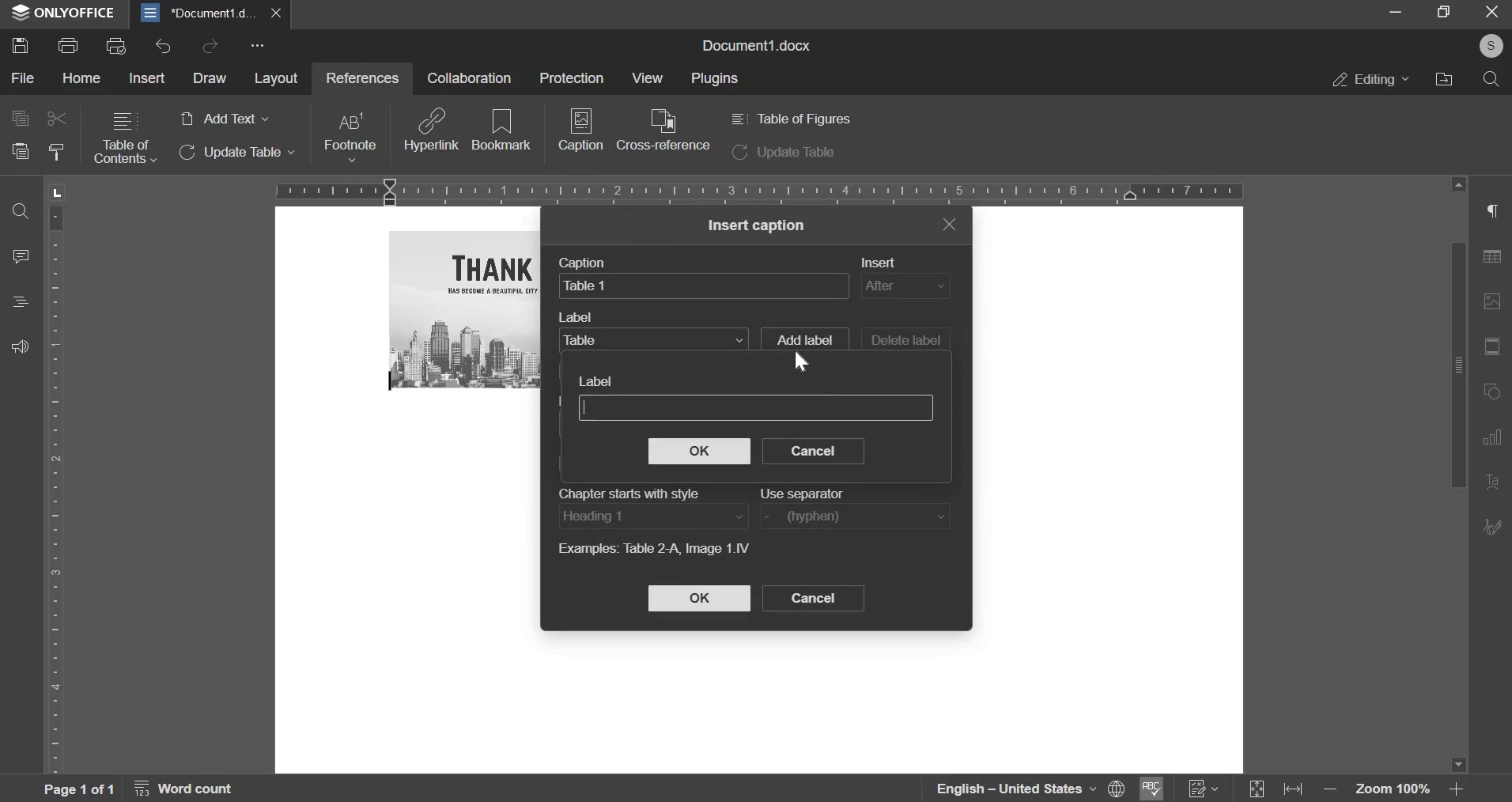 The width and height of the screenshot is (1512, 802). What do you see at coordinates (1495, 213) in the screenshot?
I see `right side menu` at bounding box center [1495, 213].